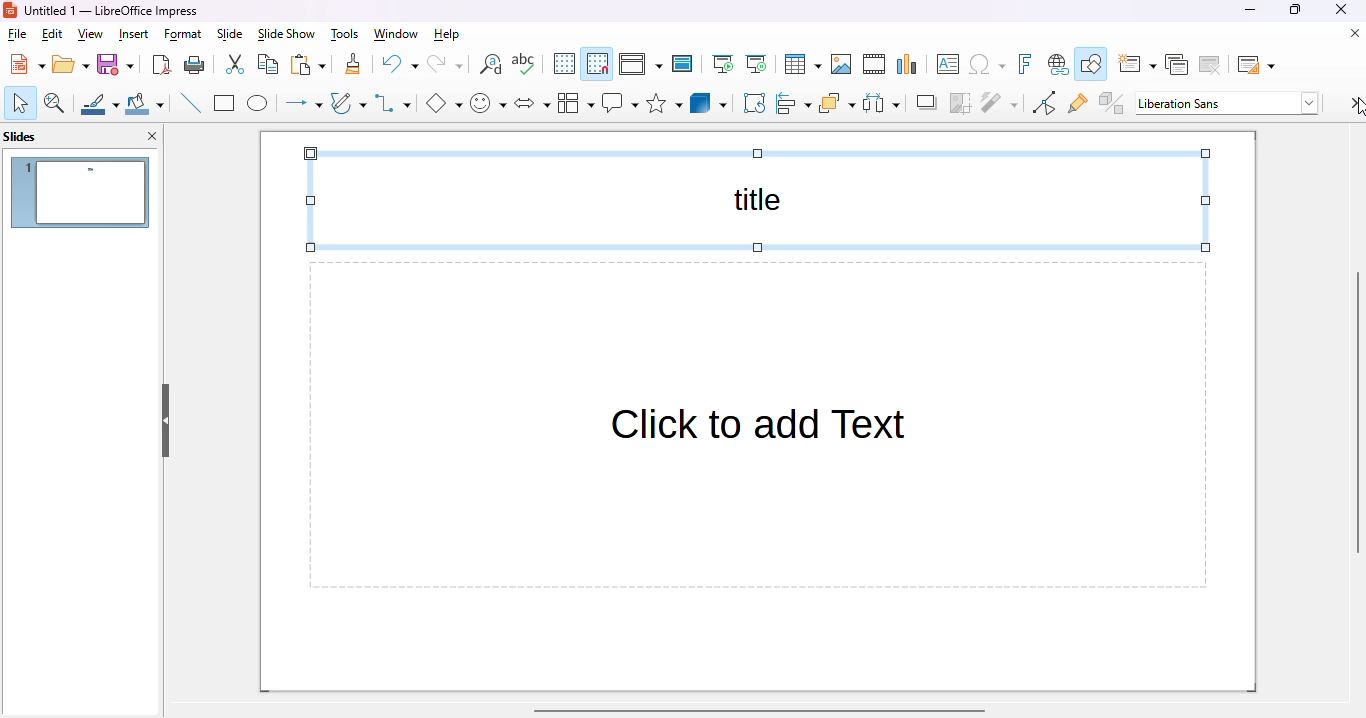 The height and width of the screenshot is (718, 1366). I want to click on title, so click(759, 201).